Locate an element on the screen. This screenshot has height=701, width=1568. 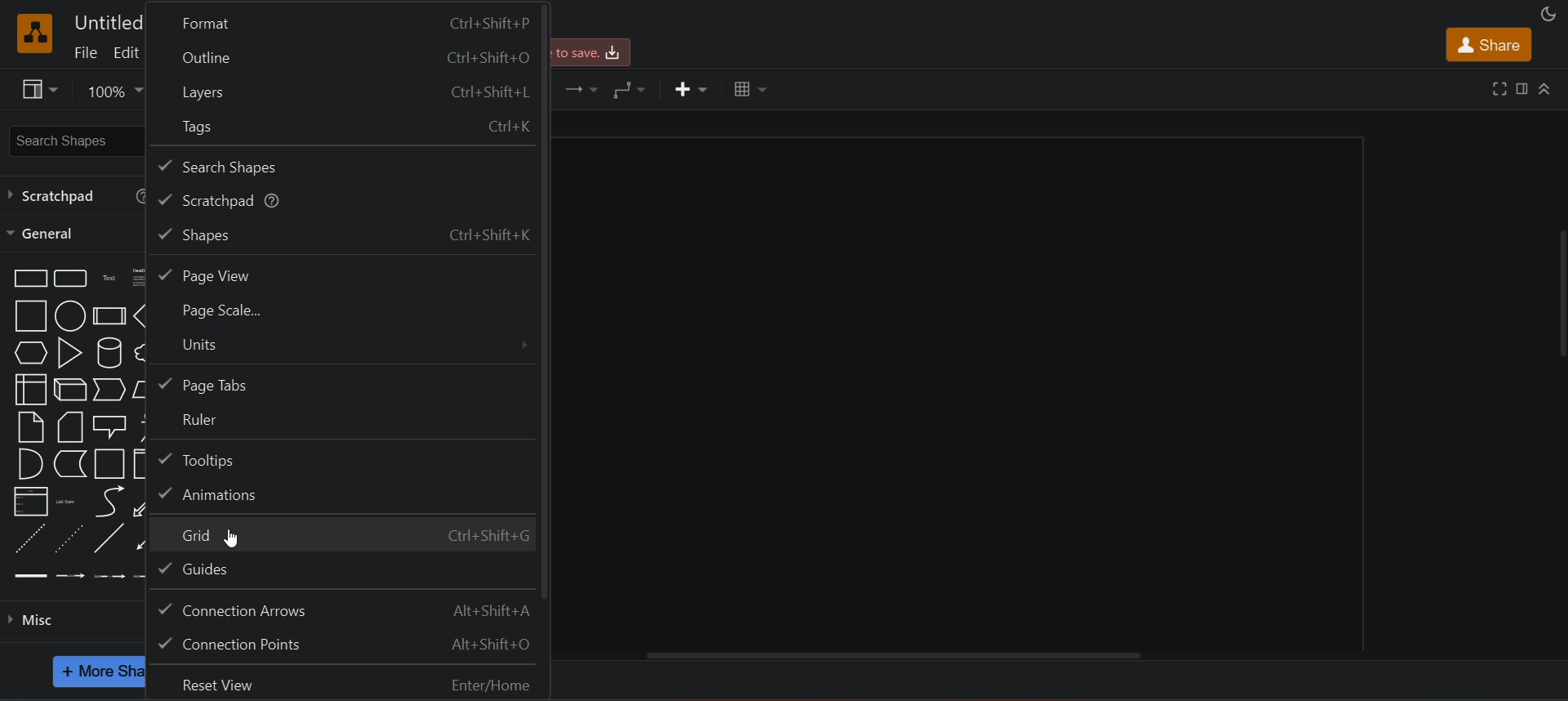
triangle is located at coordinates (69, 352).